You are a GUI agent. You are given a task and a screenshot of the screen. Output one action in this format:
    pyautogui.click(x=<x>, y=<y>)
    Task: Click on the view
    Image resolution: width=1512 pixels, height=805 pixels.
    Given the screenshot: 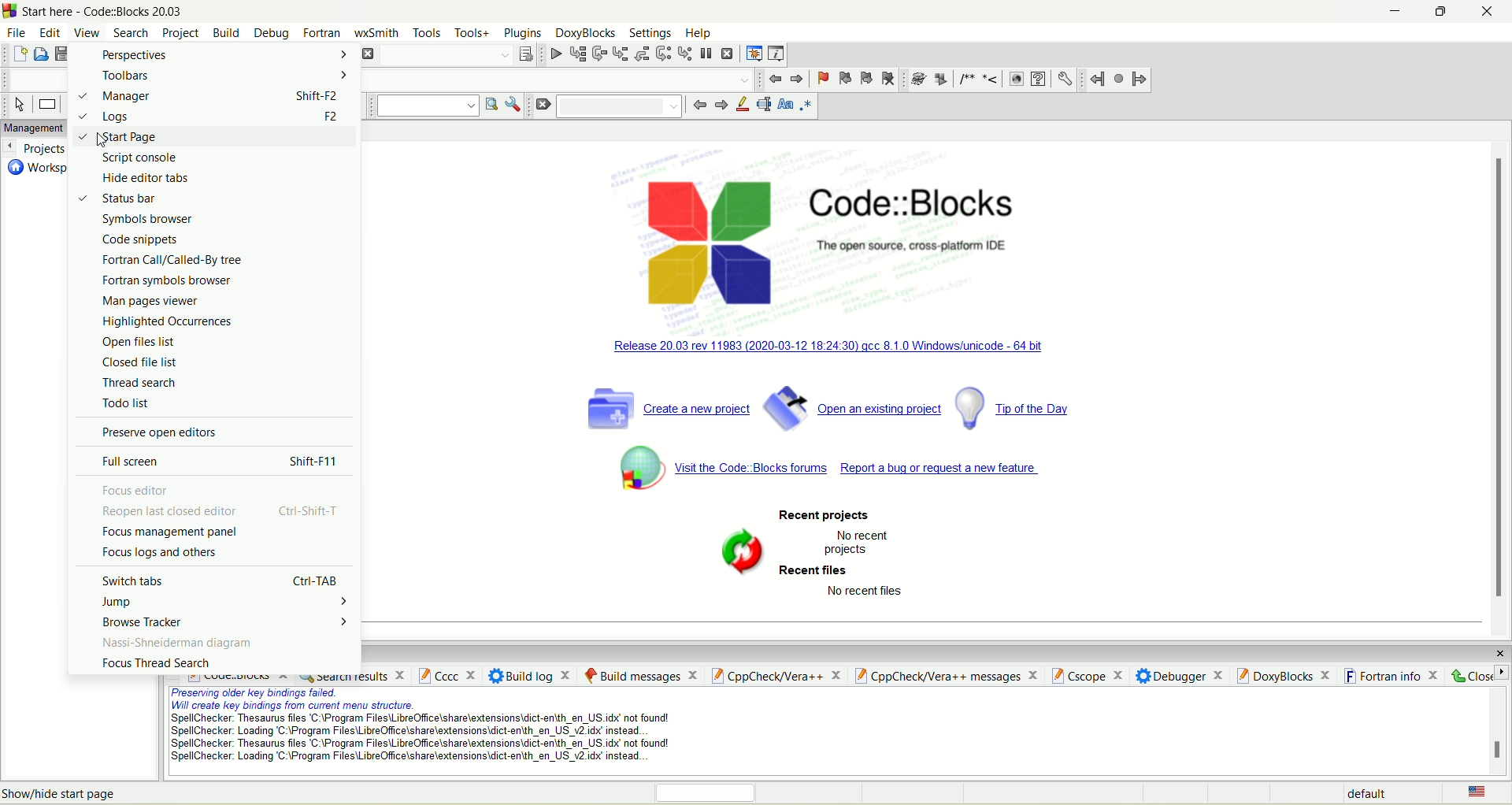 What is the action you would take?
    pyautogui.click(x=85, y=32)
    